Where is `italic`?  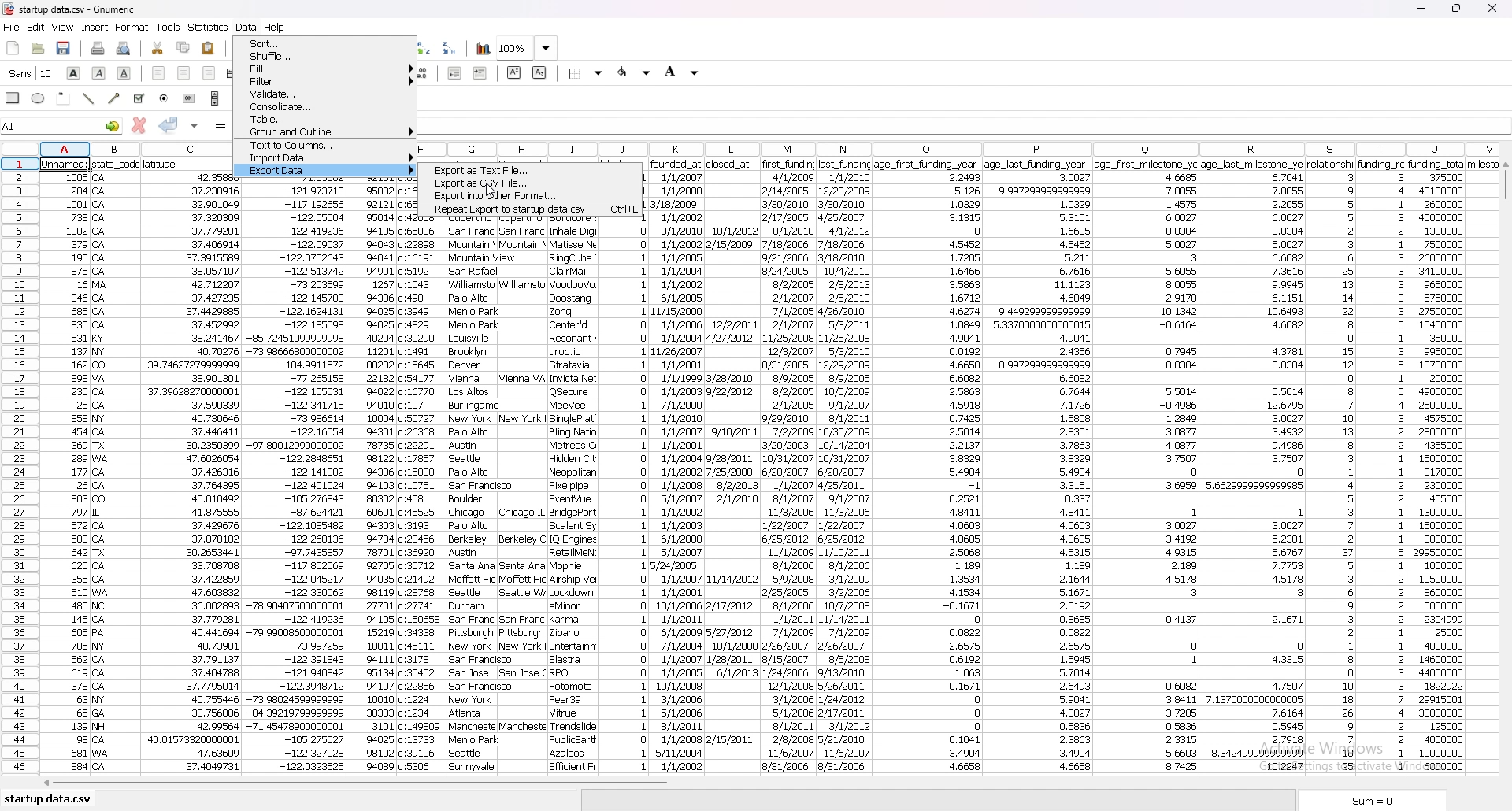
italic is located at coordinates (99, 72).